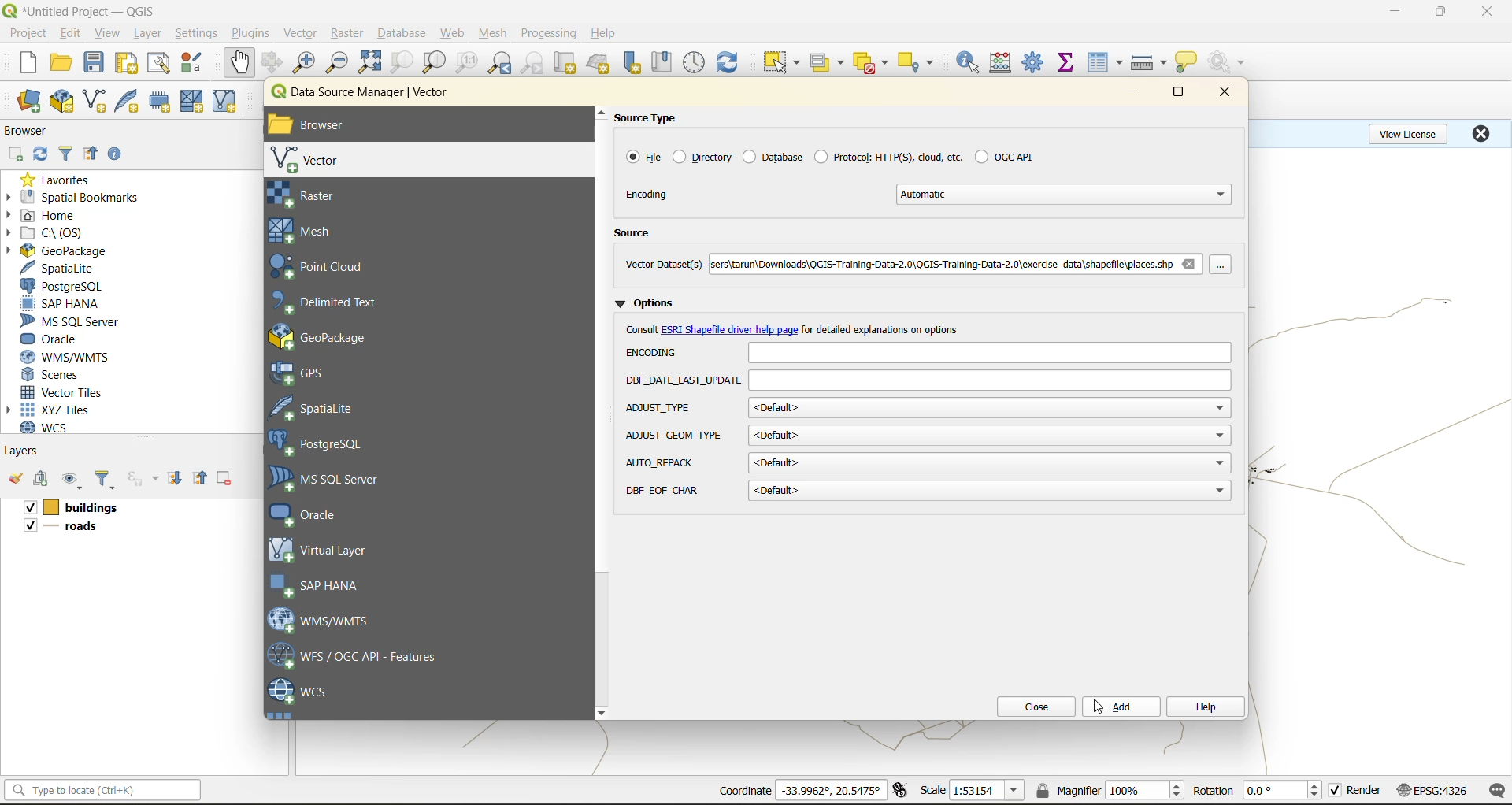 The image size is (1512, 805). I want to click on checkbox, so click(28, 525).